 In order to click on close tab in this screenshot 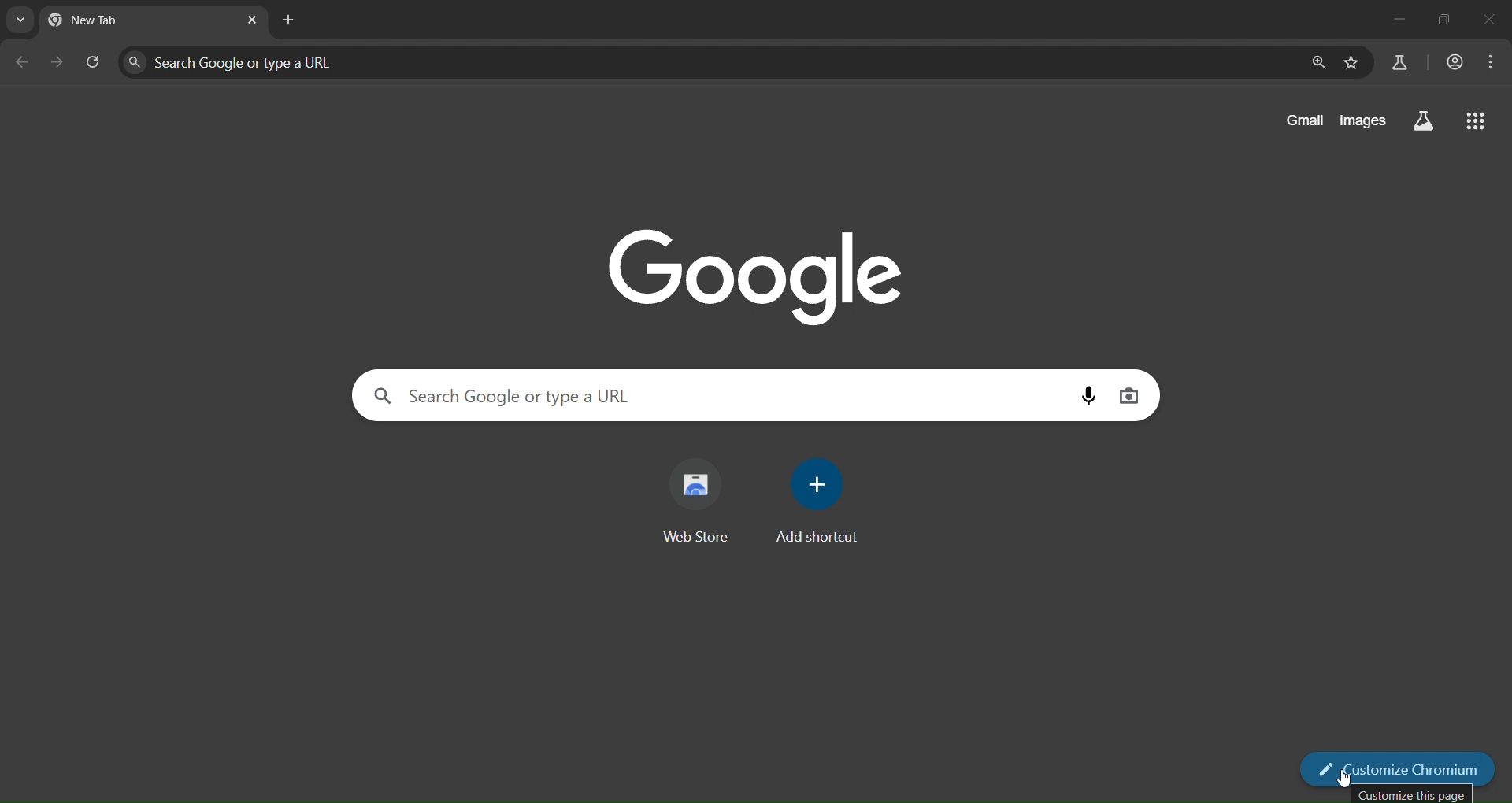, I will do `click(252, 20)`.